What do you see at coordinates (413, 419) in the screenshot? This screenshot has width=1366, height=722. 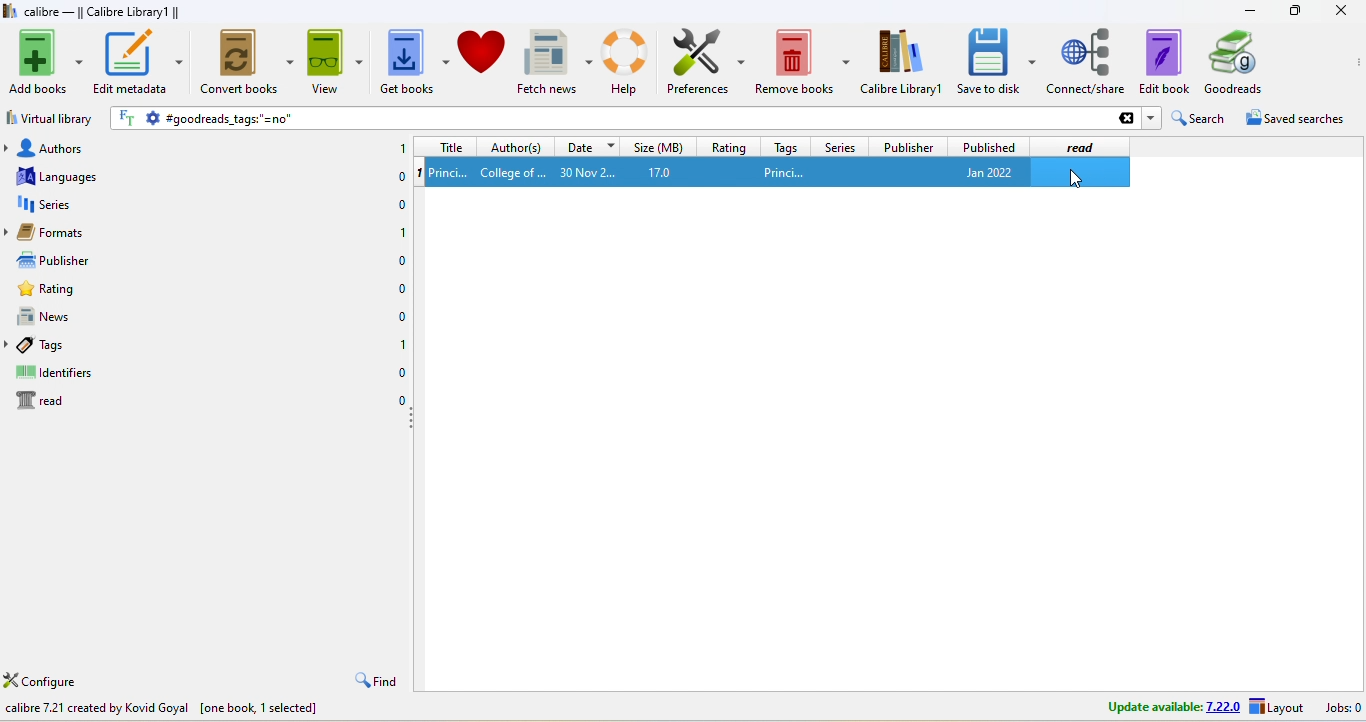 I see `drag to collapse` at bounding box center [413, 419].